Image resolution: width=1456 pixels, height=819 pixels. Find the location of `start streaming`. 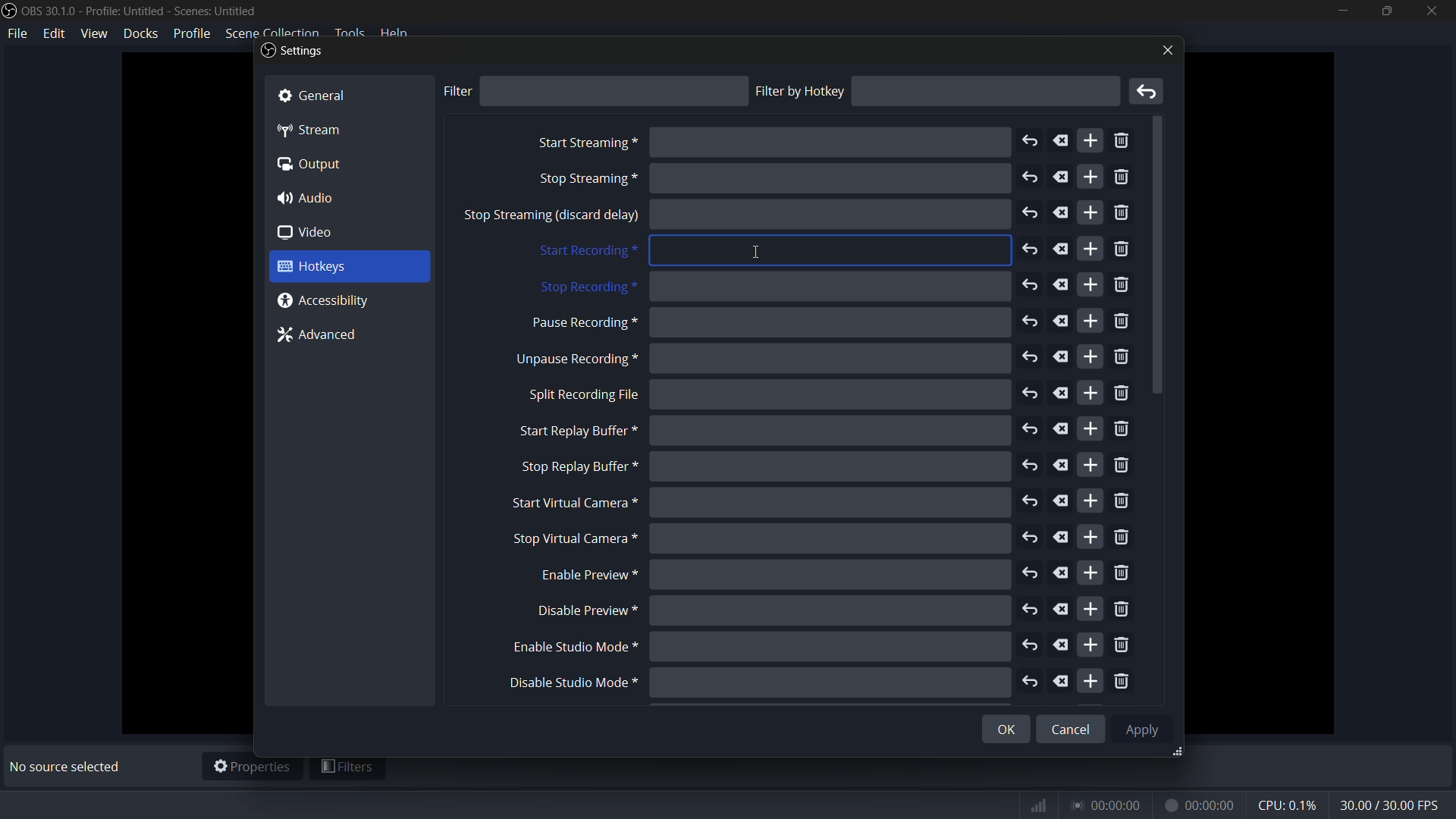

start streaming is located at coordinates (586, 143).